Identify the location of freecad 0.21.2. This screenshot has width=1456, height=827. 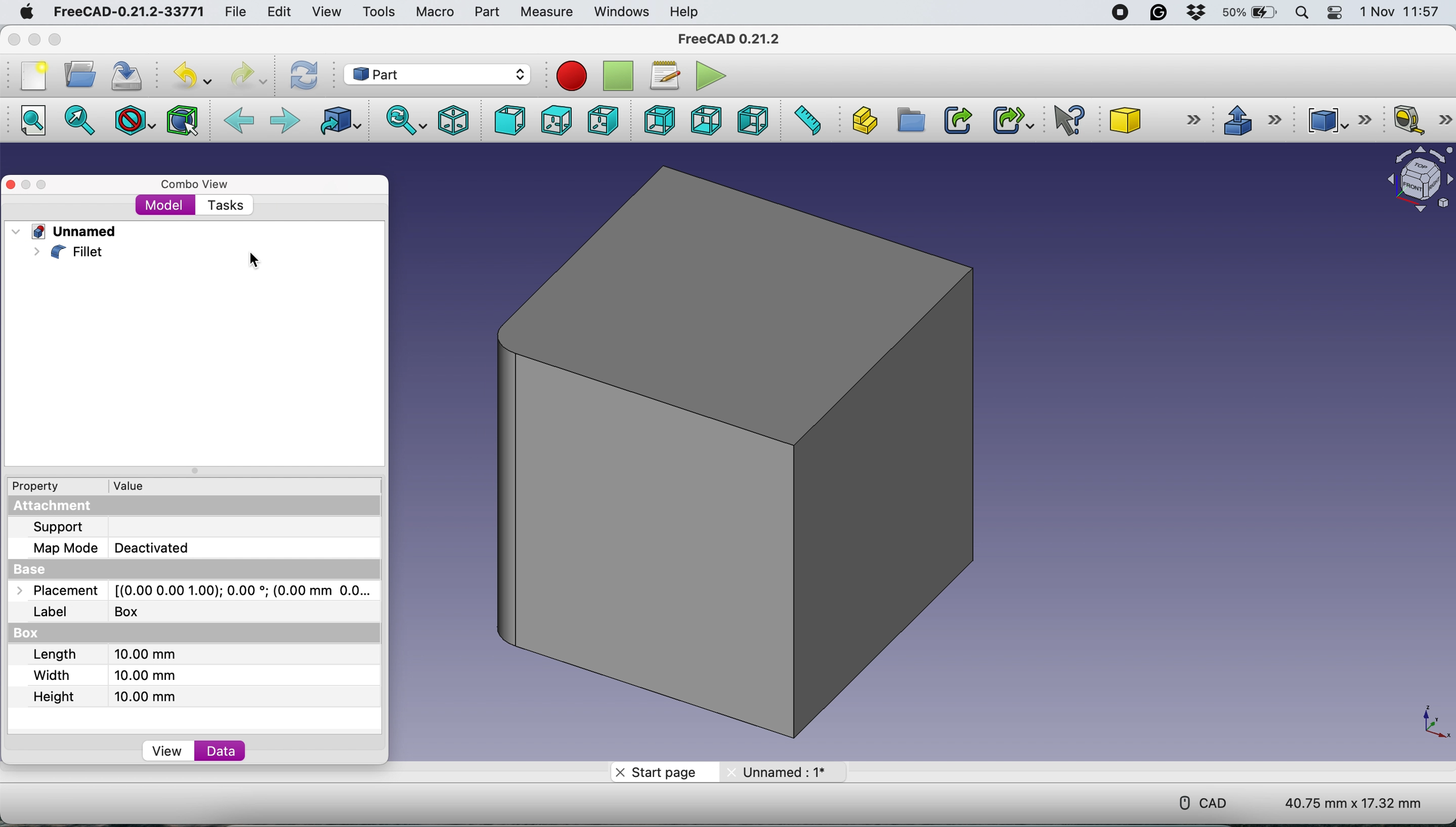
(731, 36).